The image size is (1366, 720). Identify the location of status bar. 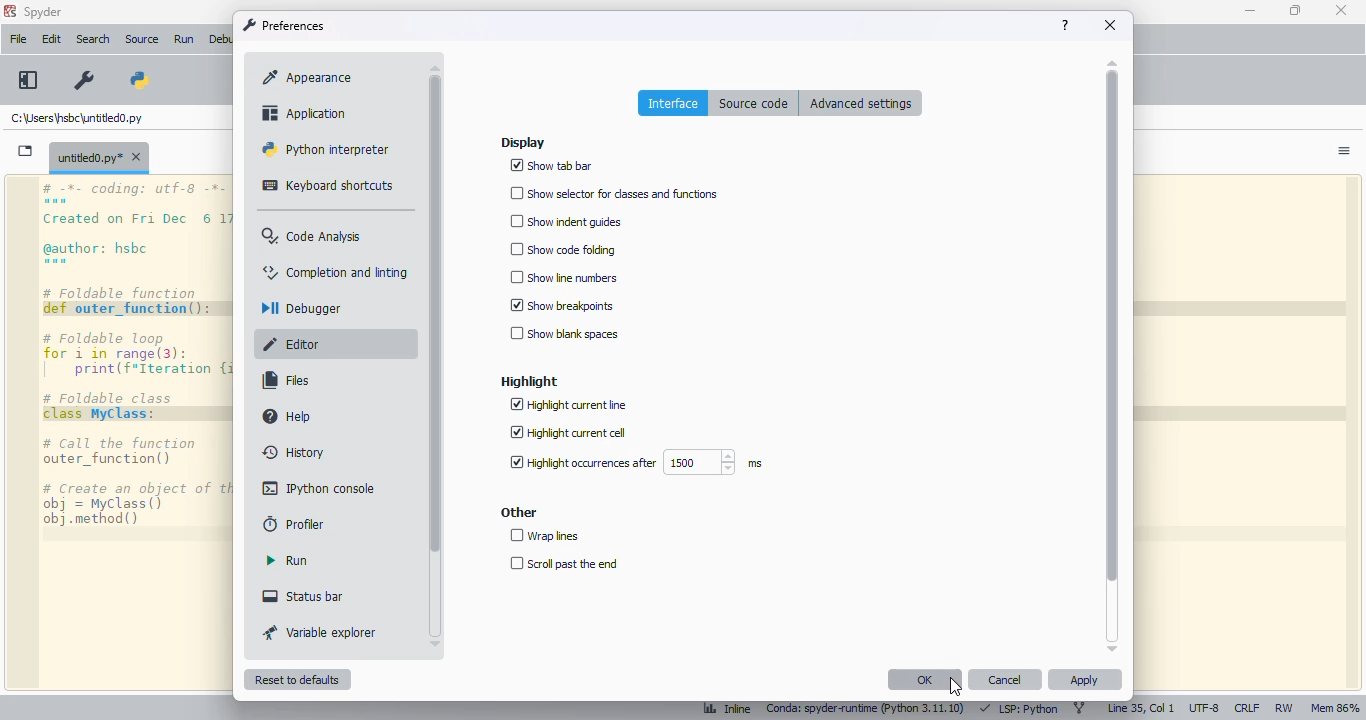
(302, 596).